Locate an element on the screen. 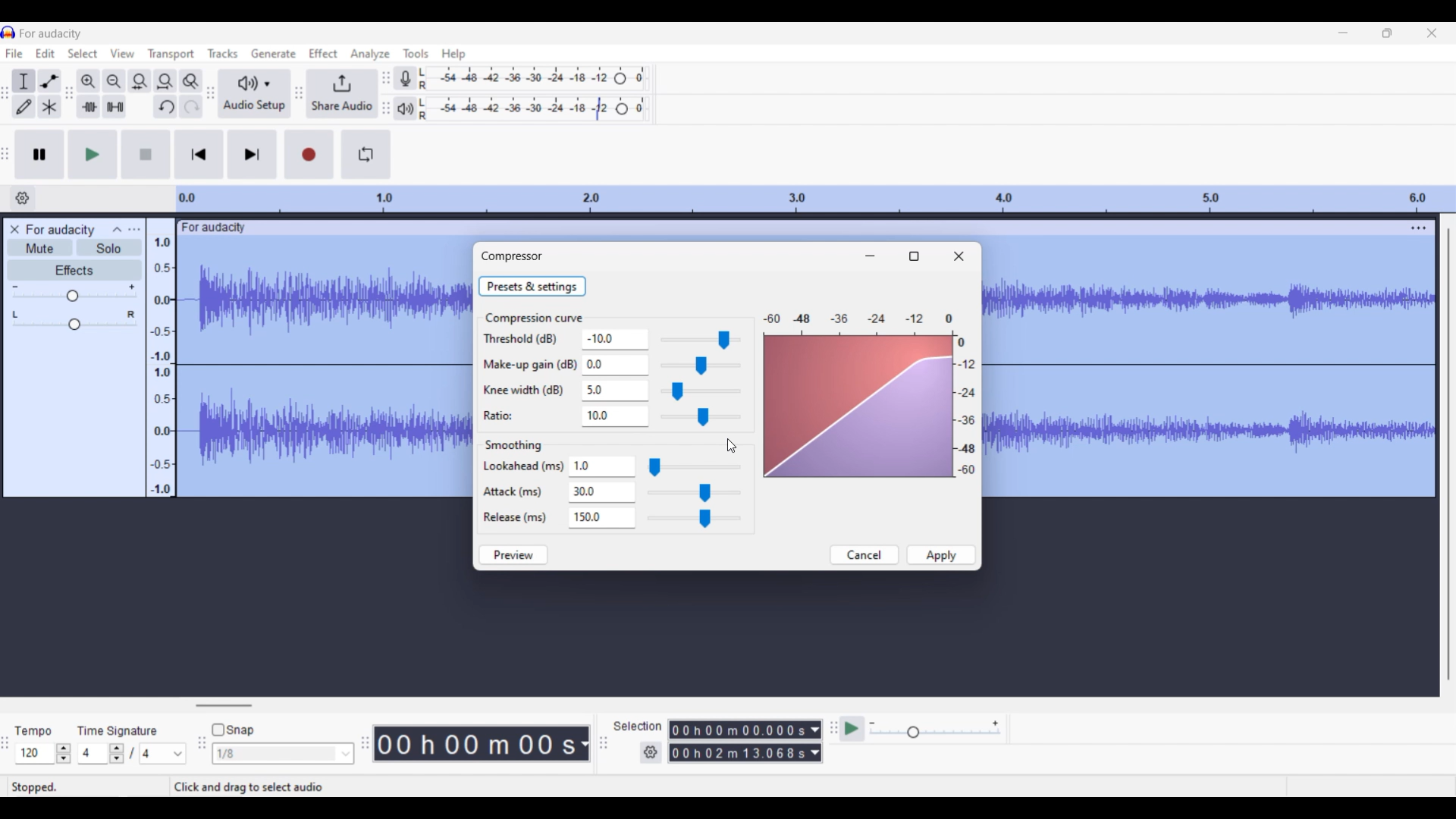 This screenshot has width=1456, height=819. Vertical slide bar is located at coordinates (1449, 456).